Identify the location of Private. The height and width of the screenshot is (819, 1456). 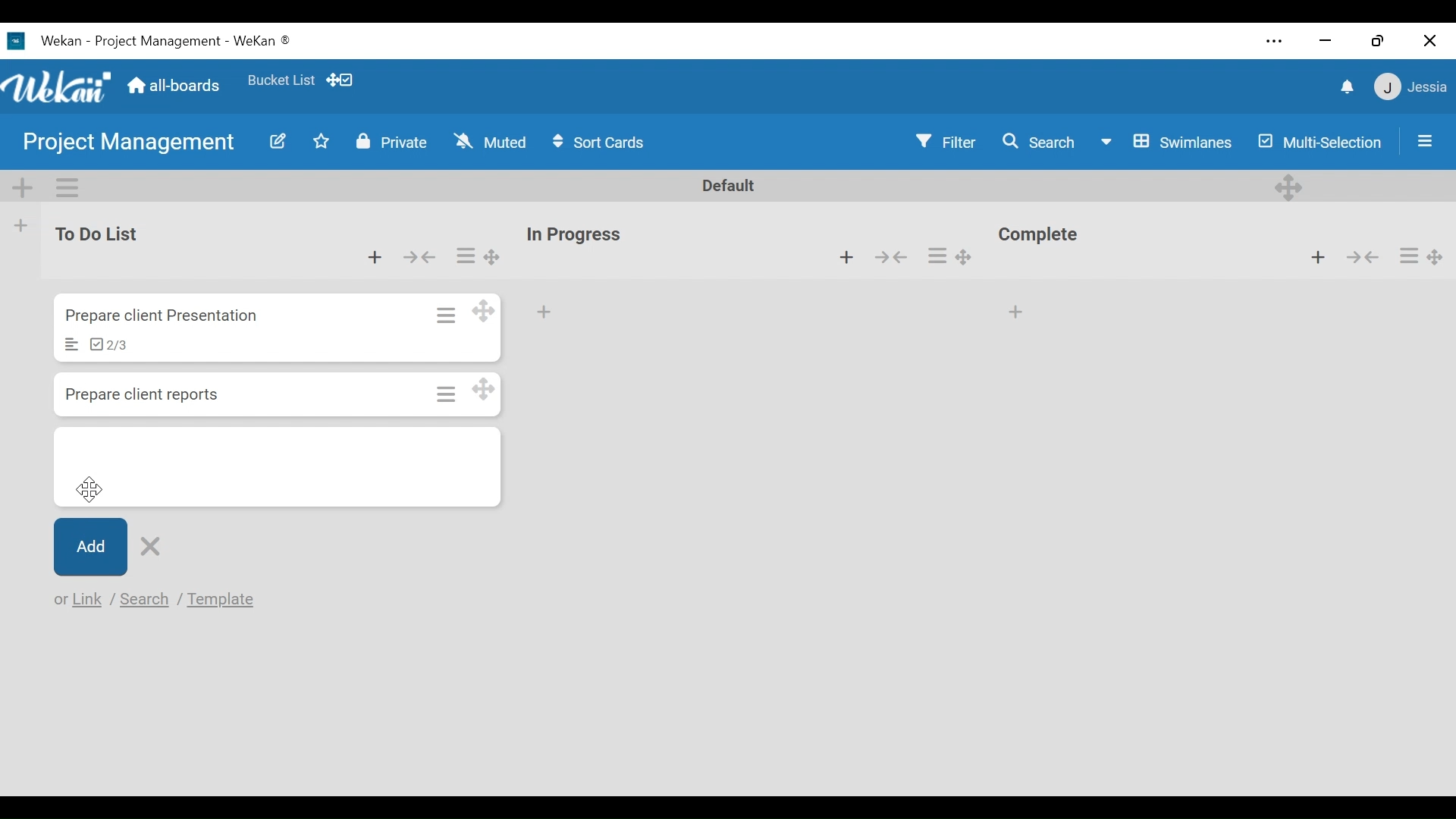
(388, 142).